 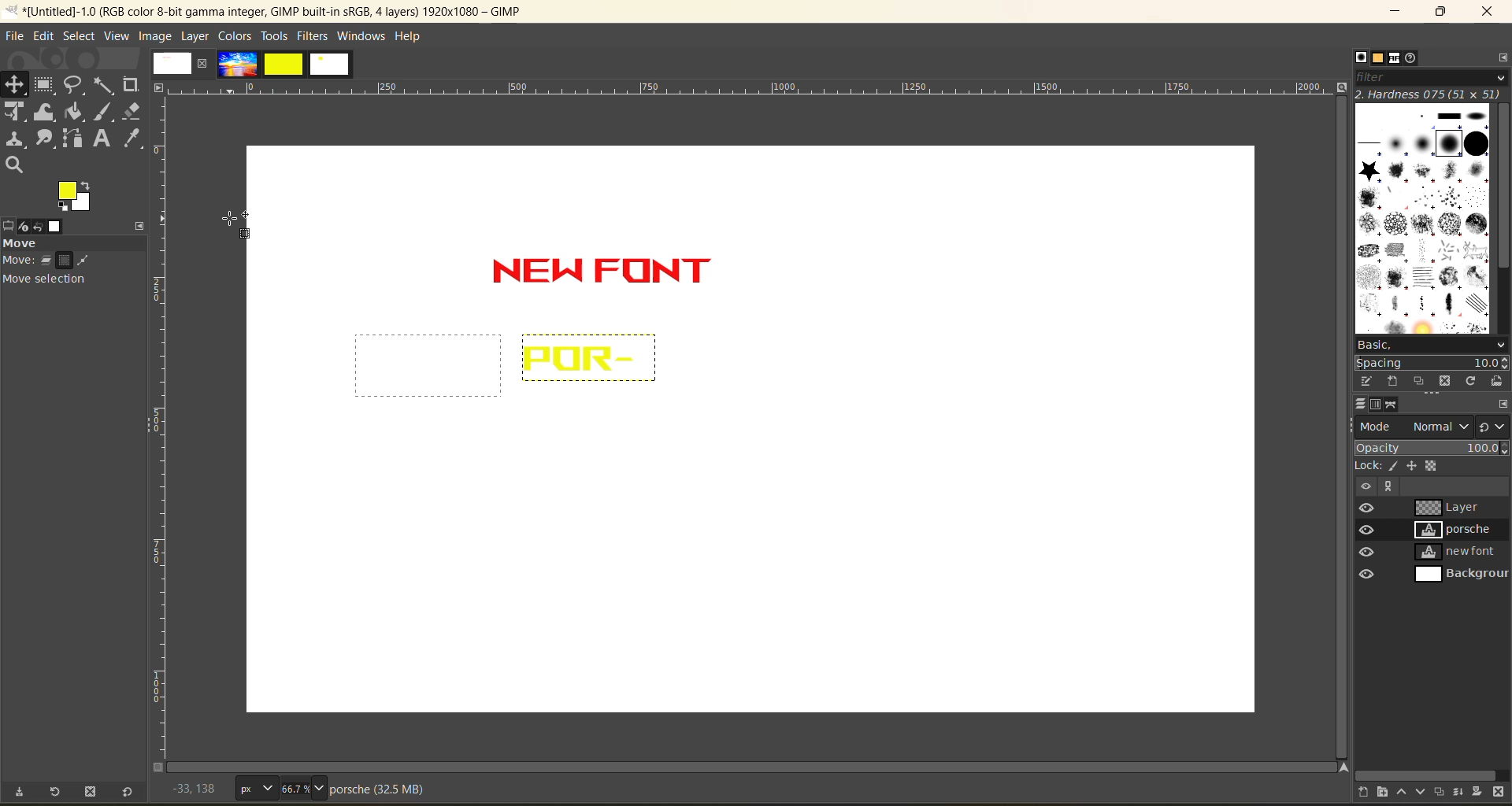 I want to click on document history, so click(x=1420, y=57).